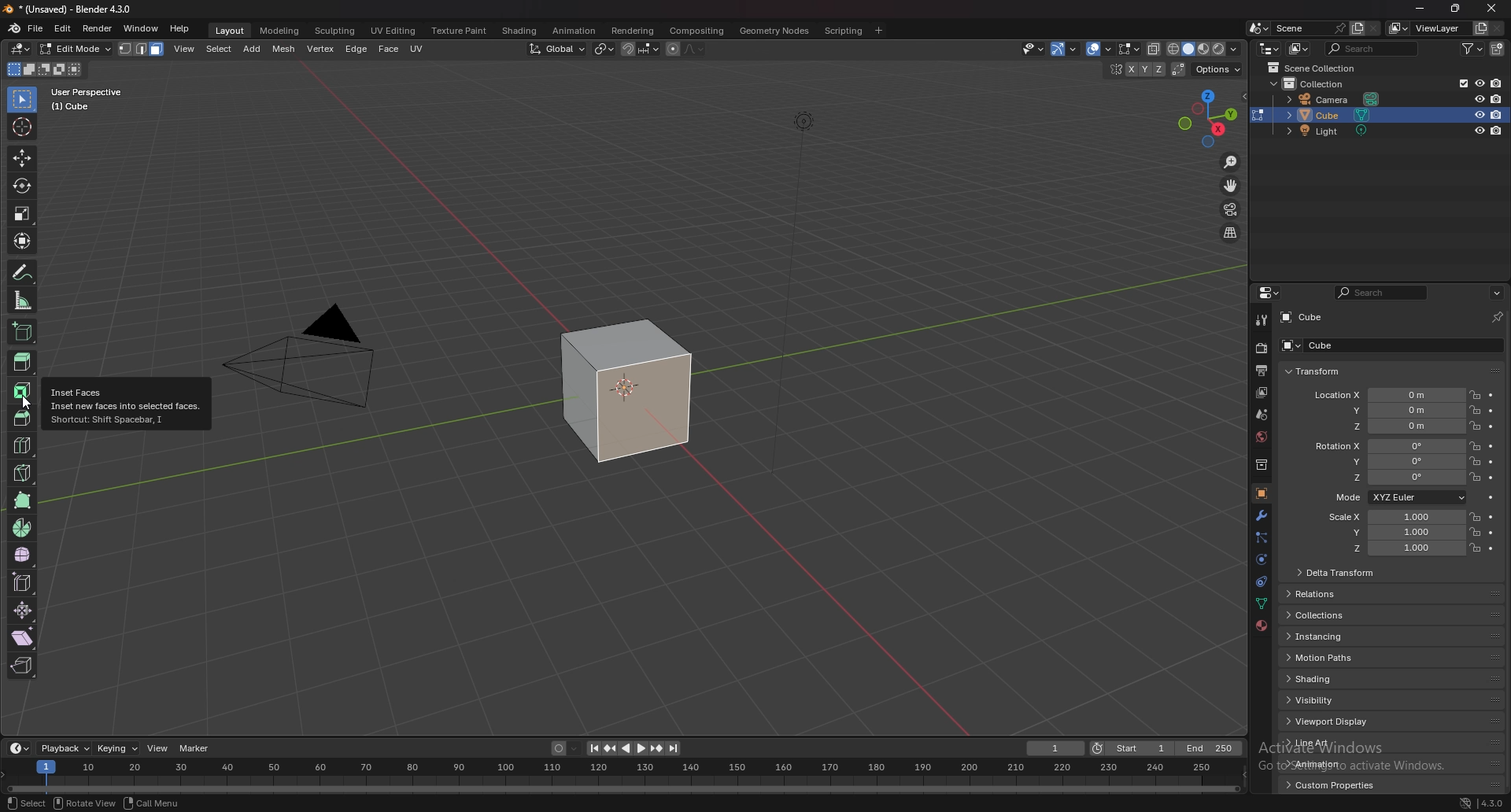 This screenshot has width=1511, height=812. Describe the element at coordinates (1332, 722) in the screenshot. I see `viewport display` at that location.